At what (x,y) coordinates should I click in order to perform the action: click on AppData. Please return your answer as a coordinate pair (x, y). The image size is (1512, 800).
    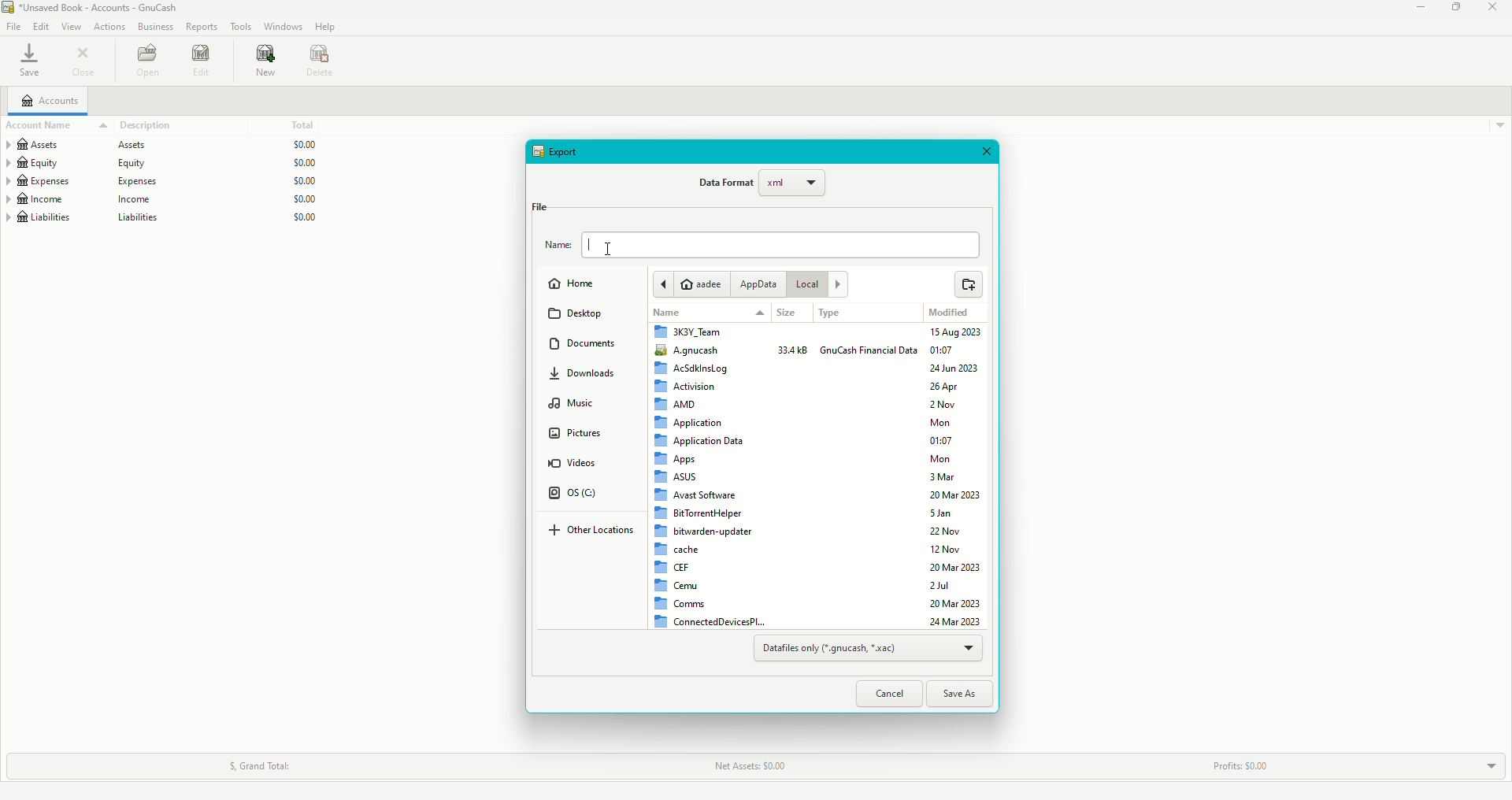
    Looking at the image, I should click on (758, 284).